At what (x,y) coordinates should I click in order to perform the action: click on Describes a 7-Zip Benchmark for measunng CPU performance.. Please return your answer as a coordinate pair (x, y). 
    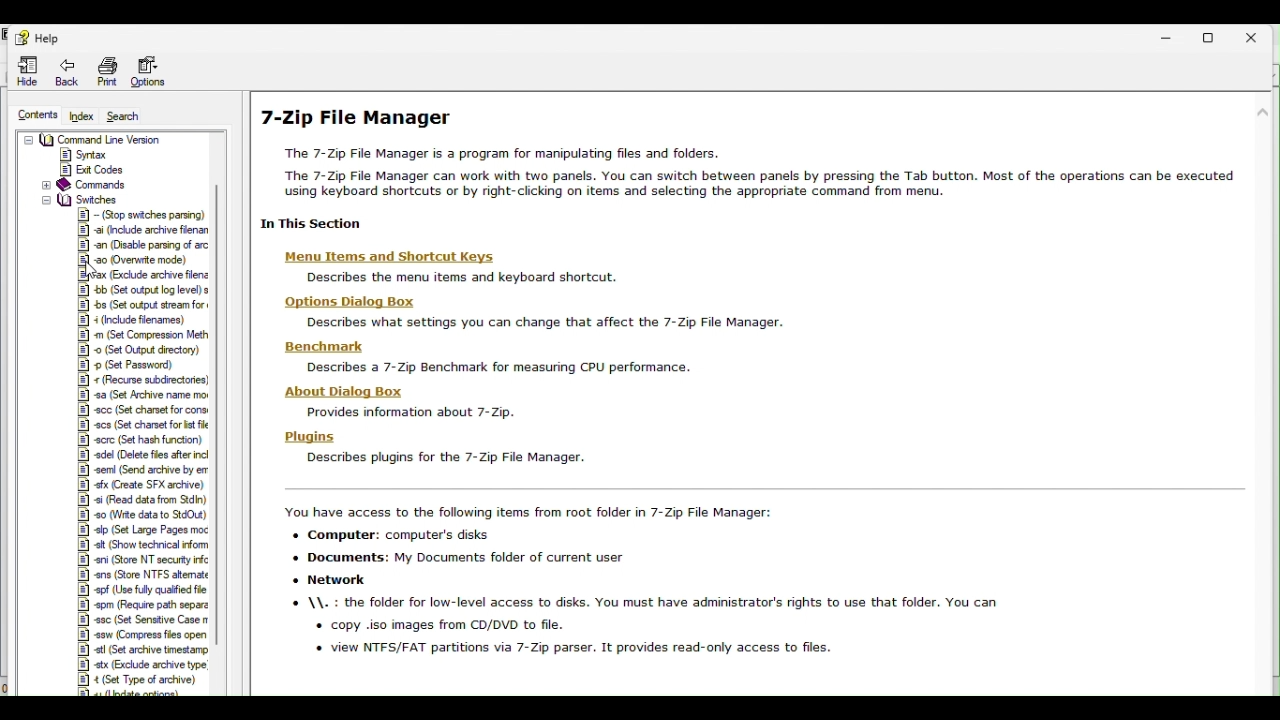
    Looking at the image, I should click on (499, 367).